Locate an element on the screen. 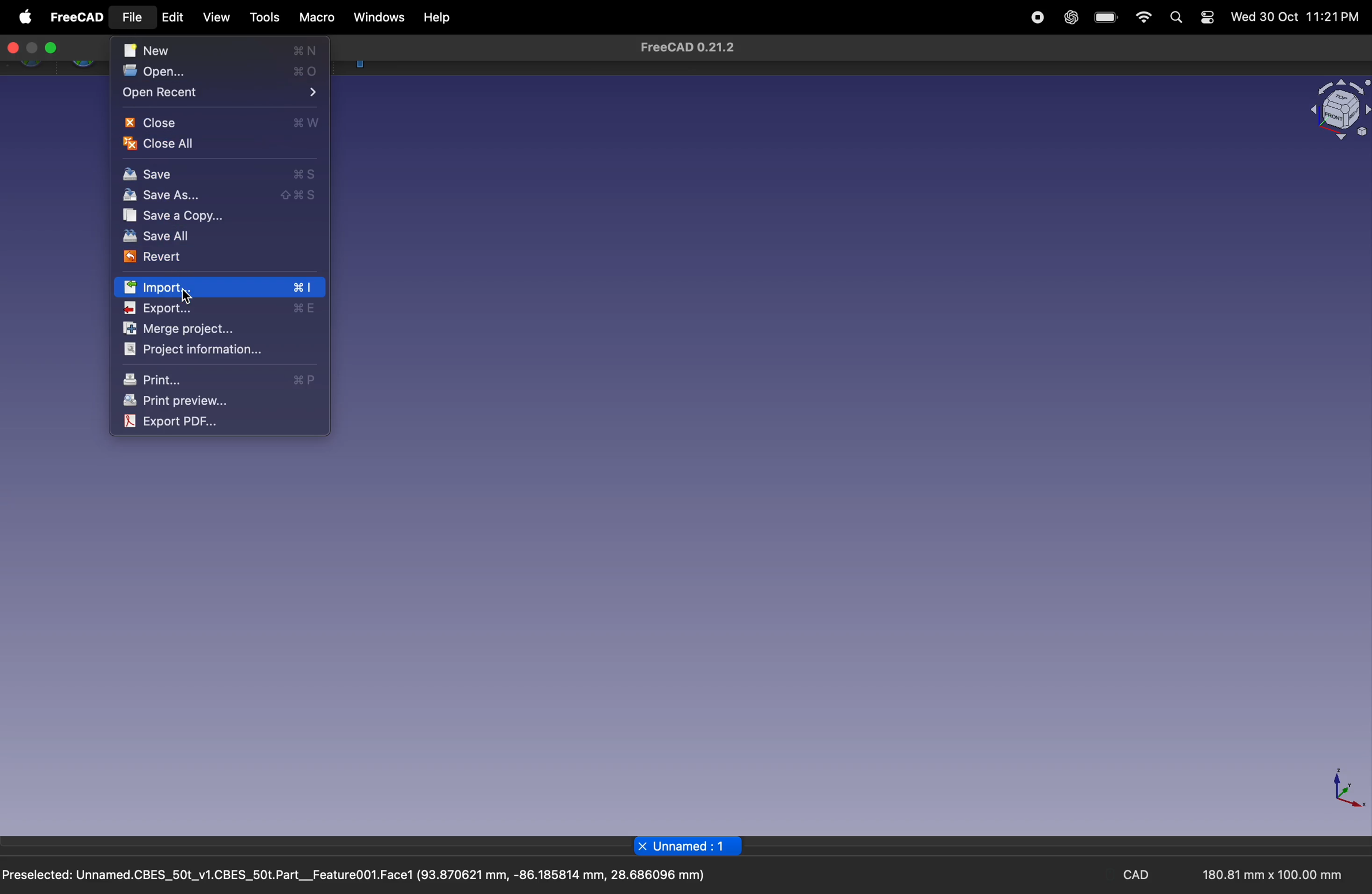  project information is located at coordinates (198, 349).